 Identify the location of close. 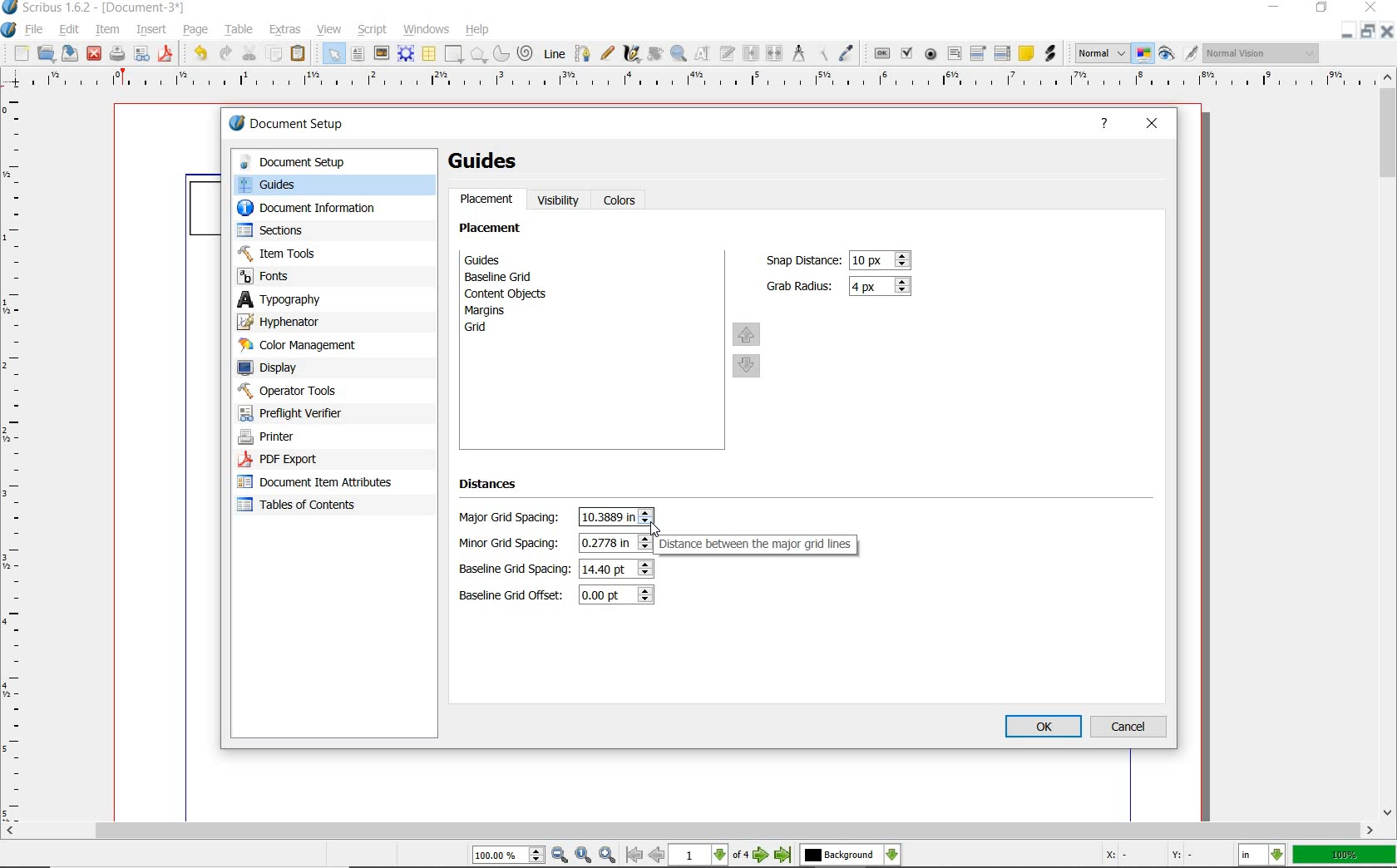
(93, 55).